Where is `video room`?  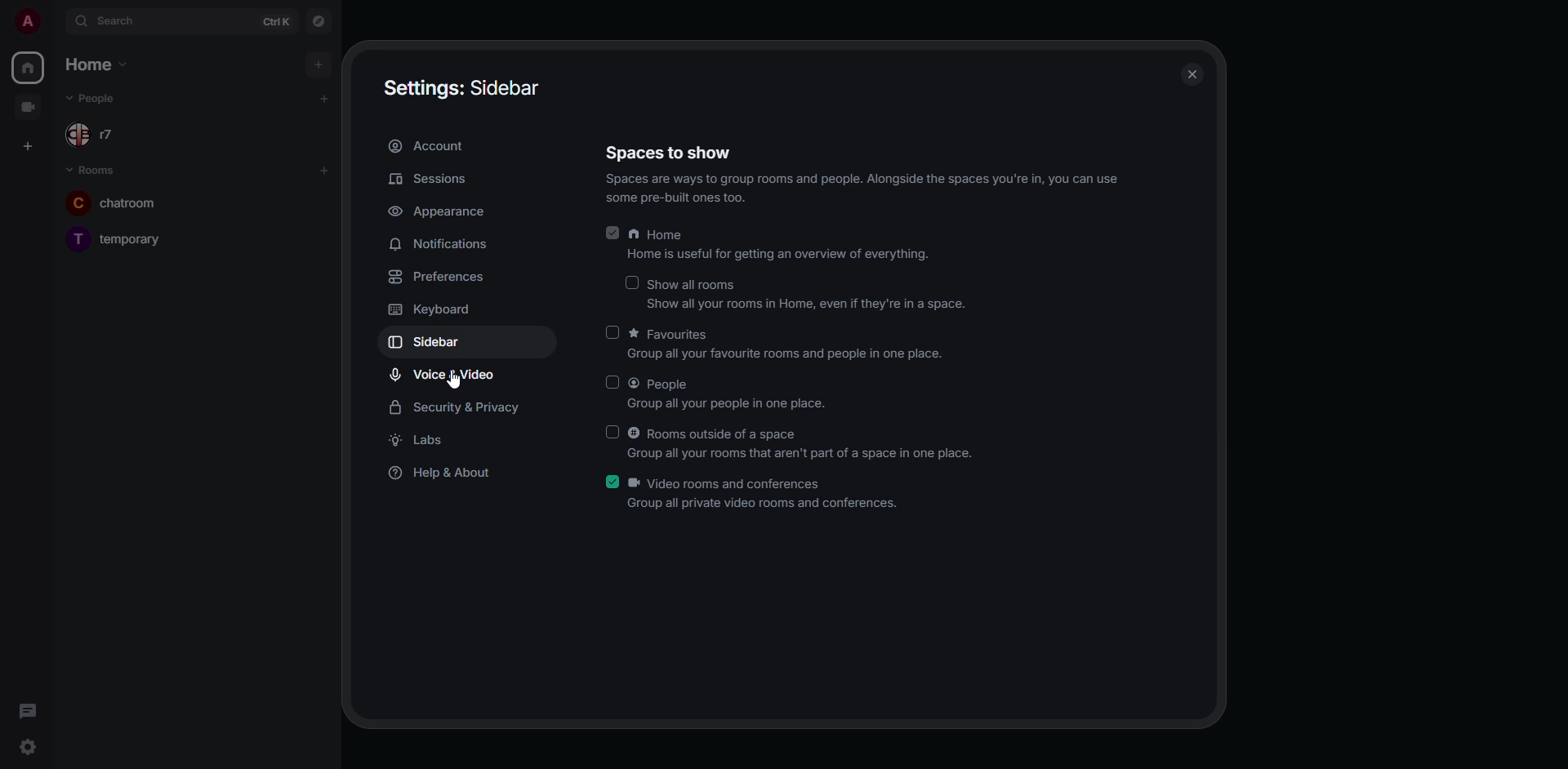
video room is located at coordinates (26, 107).